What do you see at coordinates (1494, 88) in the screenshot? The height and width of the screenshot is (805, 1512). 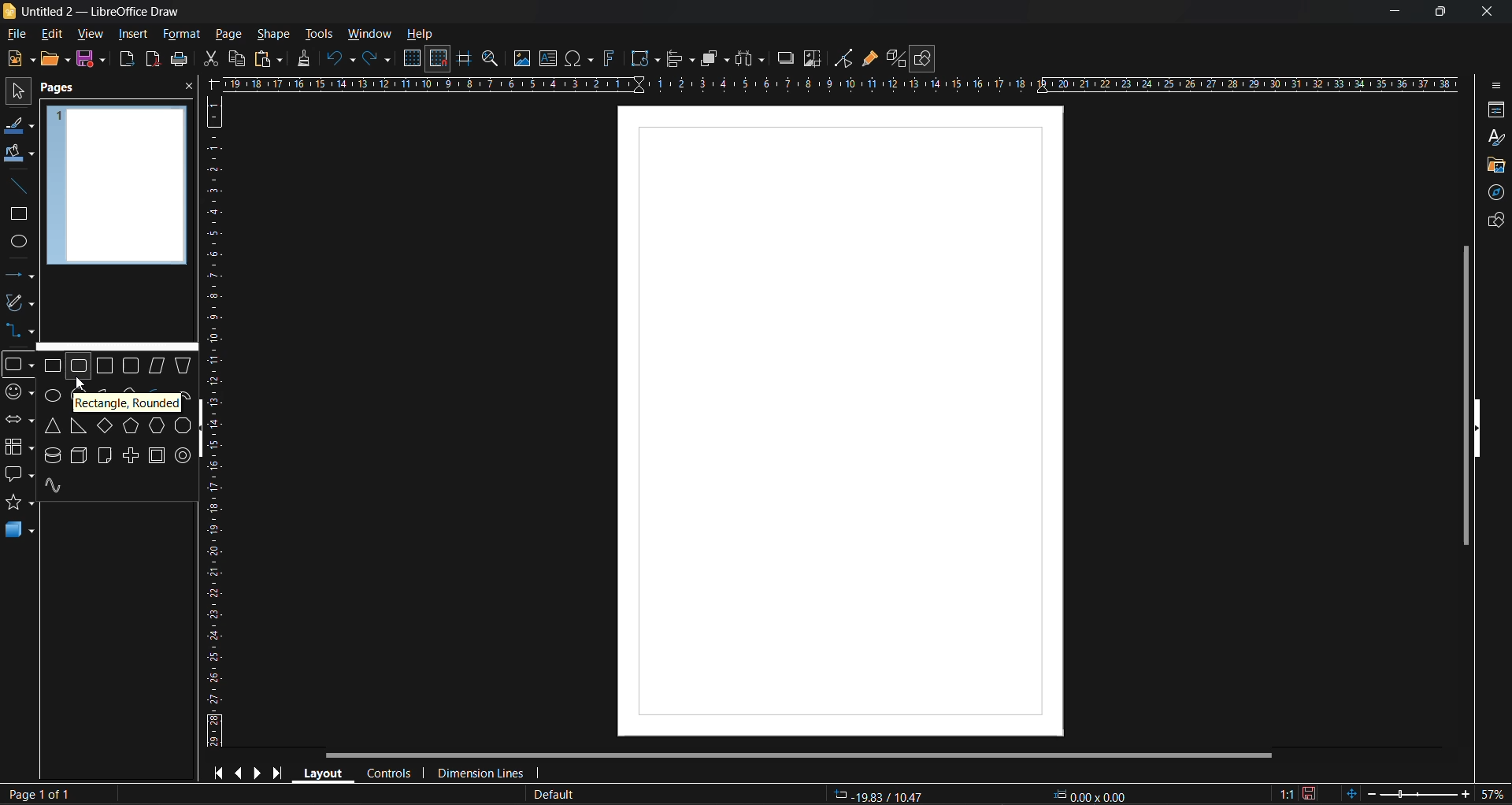 I see `sidebar` at bounding box center [1494, 88].